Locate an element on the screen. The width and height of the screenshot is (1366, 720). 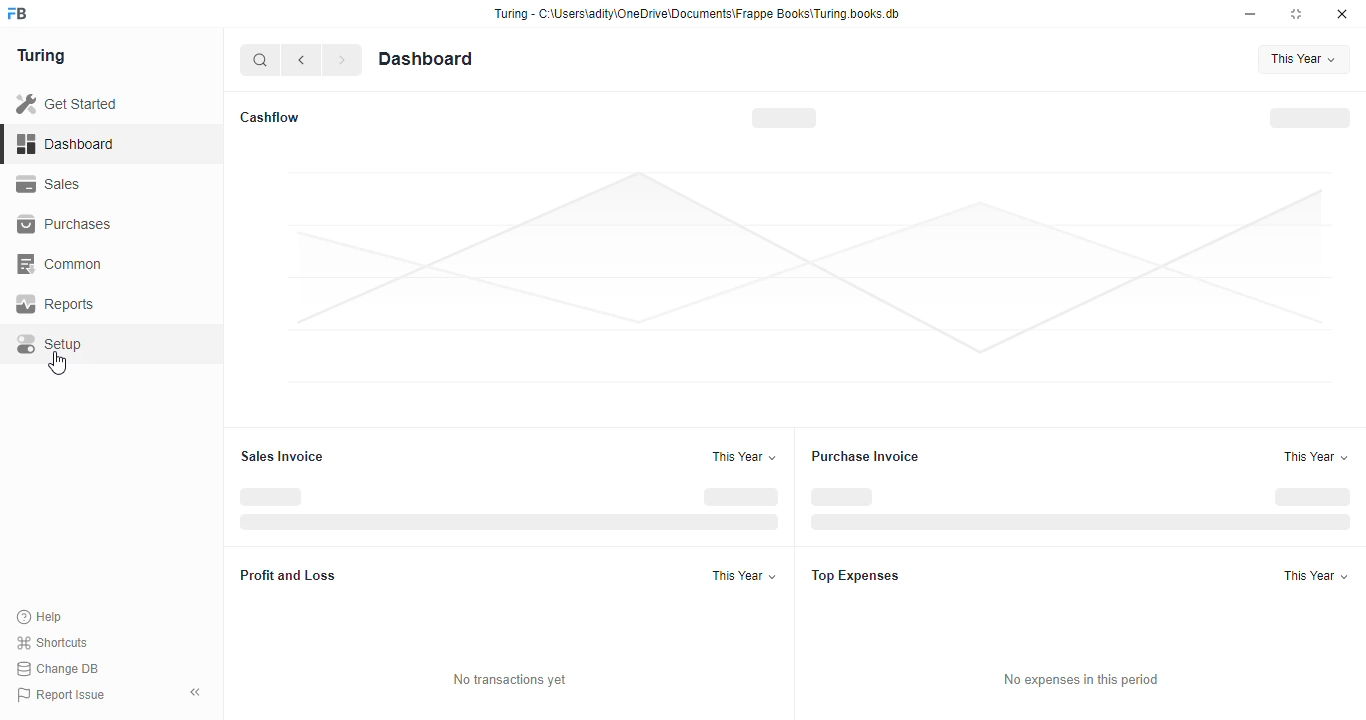
Dashboard is located at coordinates (104, 144).